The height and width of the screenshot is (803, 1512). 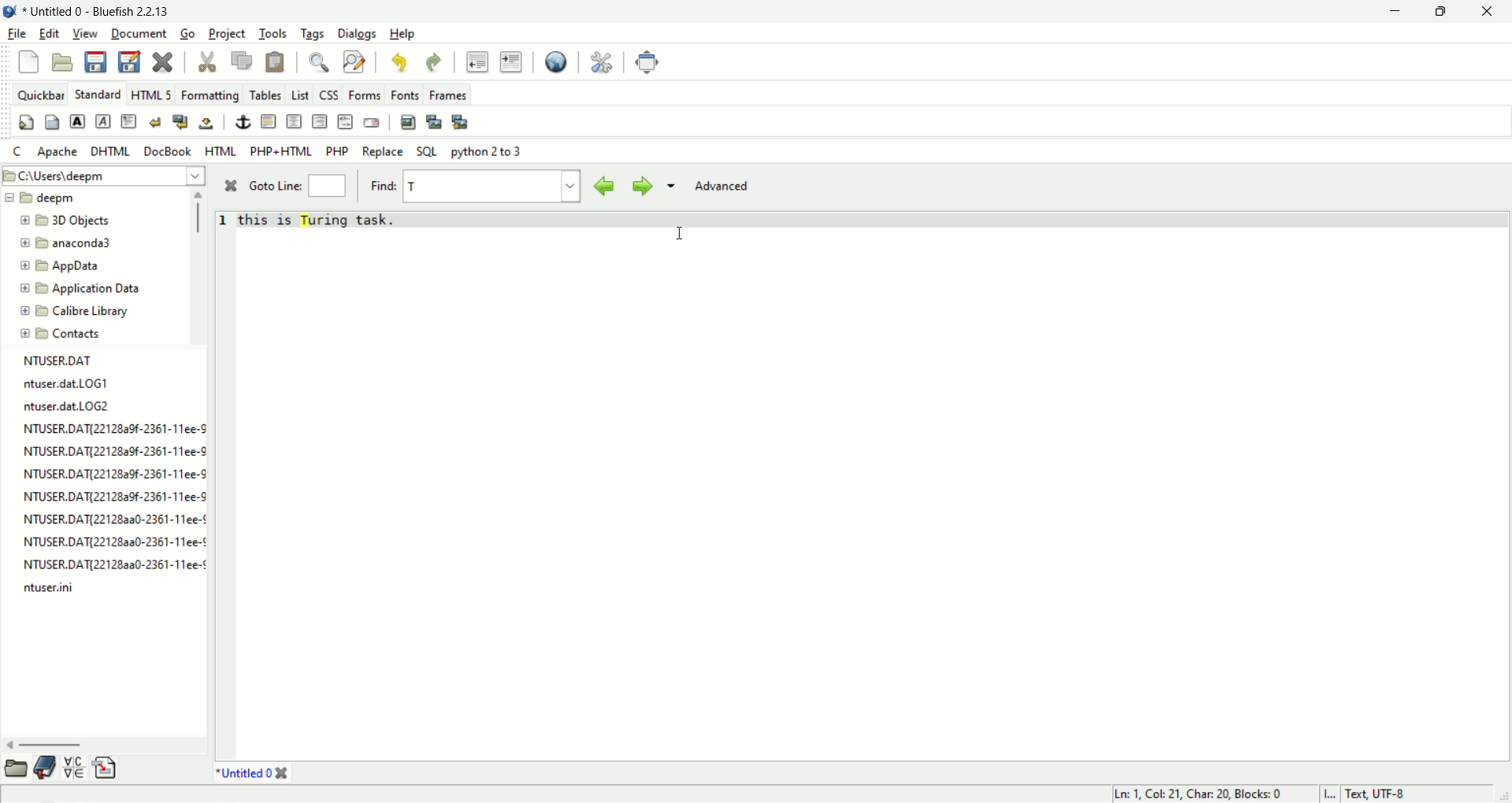 I want to click on find options, so click(x=669, y=184).